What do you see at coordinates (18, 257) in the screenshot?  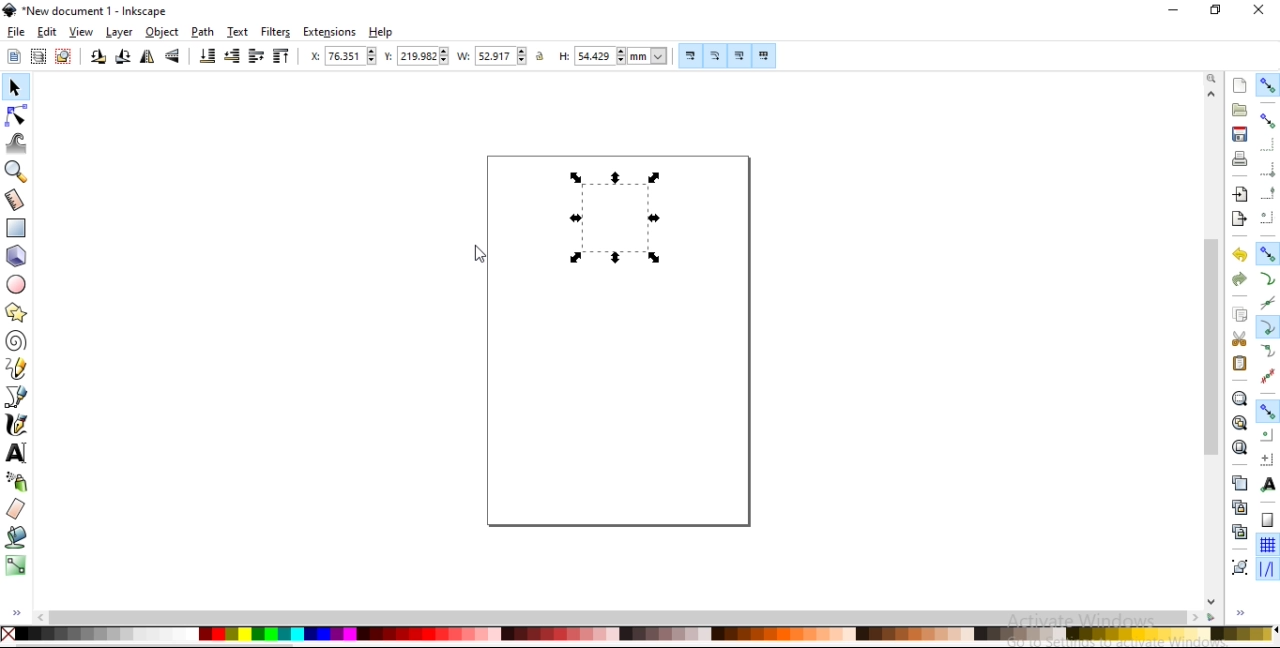 I see `create 3d boxes` at bounding box center [18, 257].